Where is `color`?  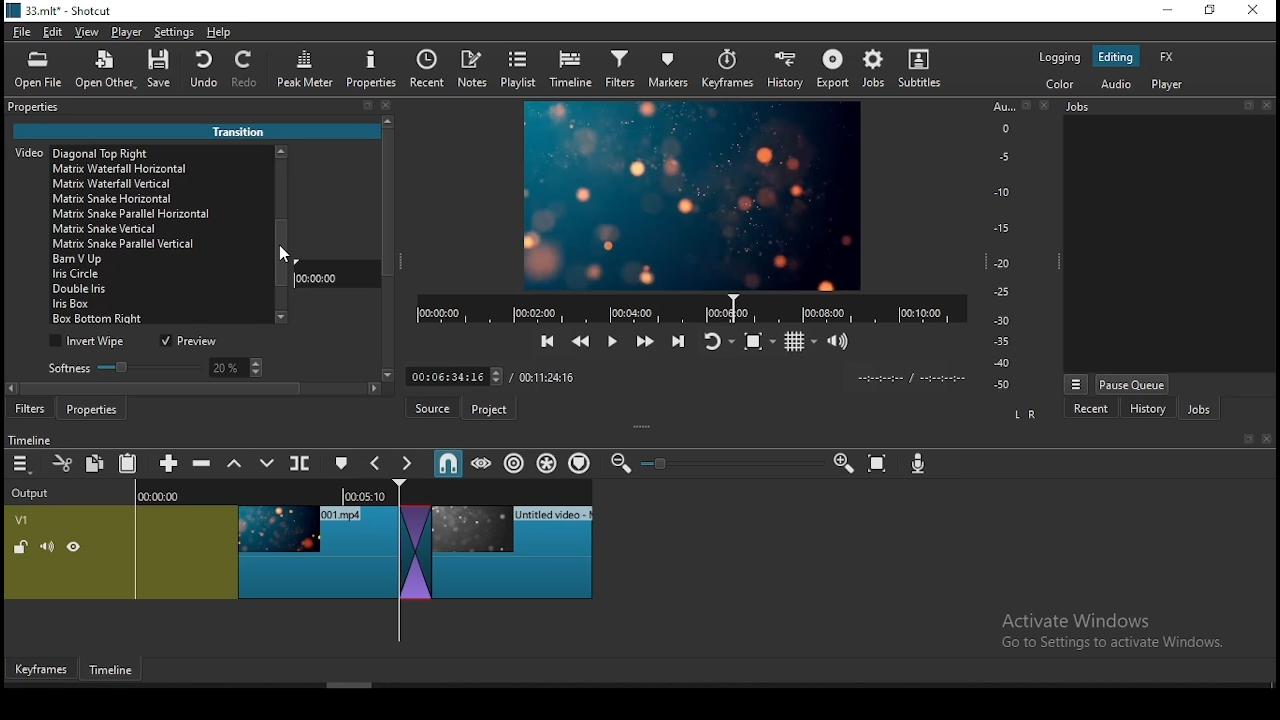
color is located at coordinates (1061, 85).